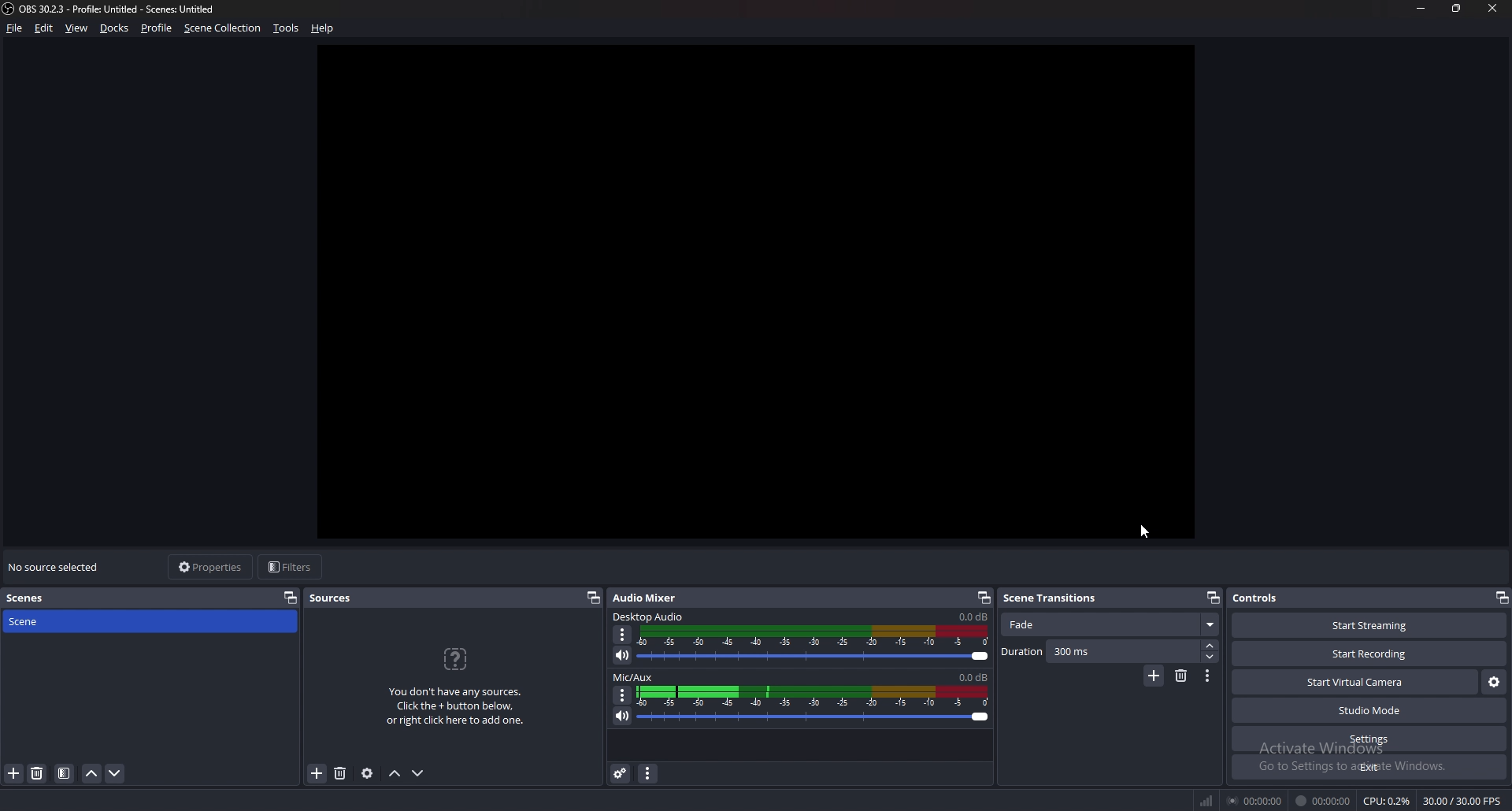  I want to click on You don't have any sources.
Click the + button below,
or right click here to add one., so click(461, 687).